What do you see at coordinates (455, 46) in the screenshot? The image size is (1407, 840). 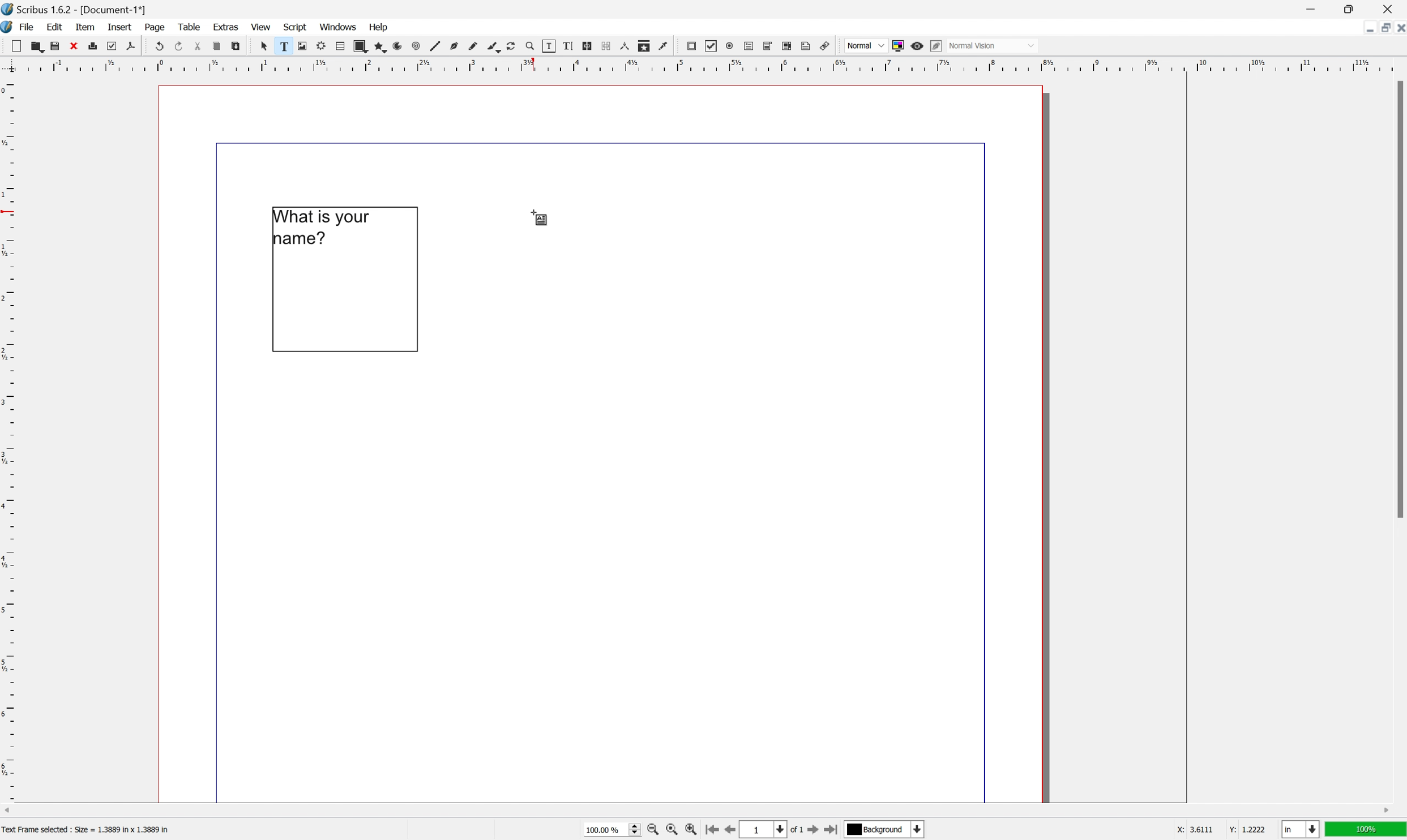 I see `bezier curve` at bounding box center [455, 46].